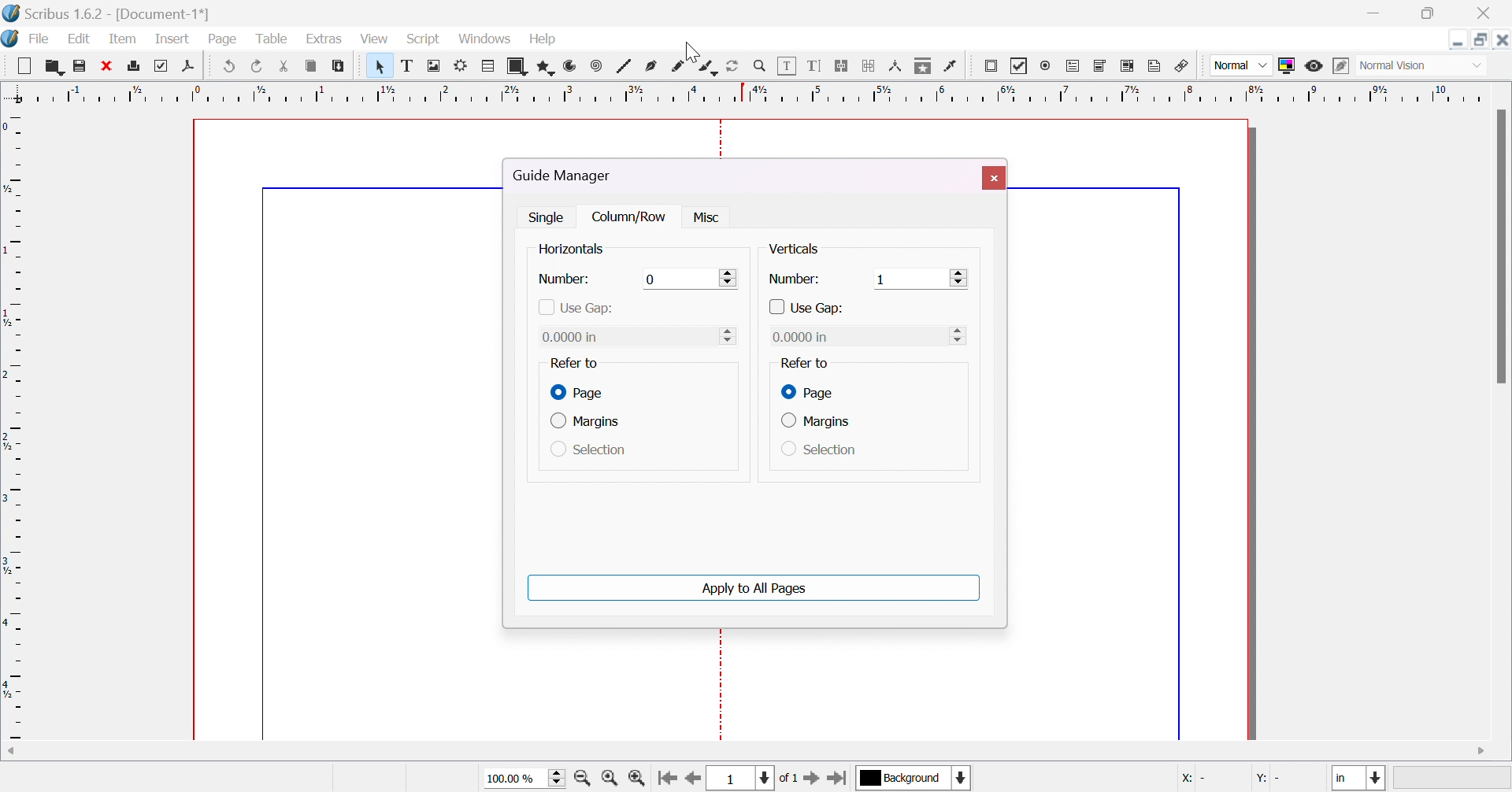 This screenshot has width=1512, height=792. What do you see at coordinates (375, 65) in the screenshot?
I see `Pointer` at bounding box center [375, 65].